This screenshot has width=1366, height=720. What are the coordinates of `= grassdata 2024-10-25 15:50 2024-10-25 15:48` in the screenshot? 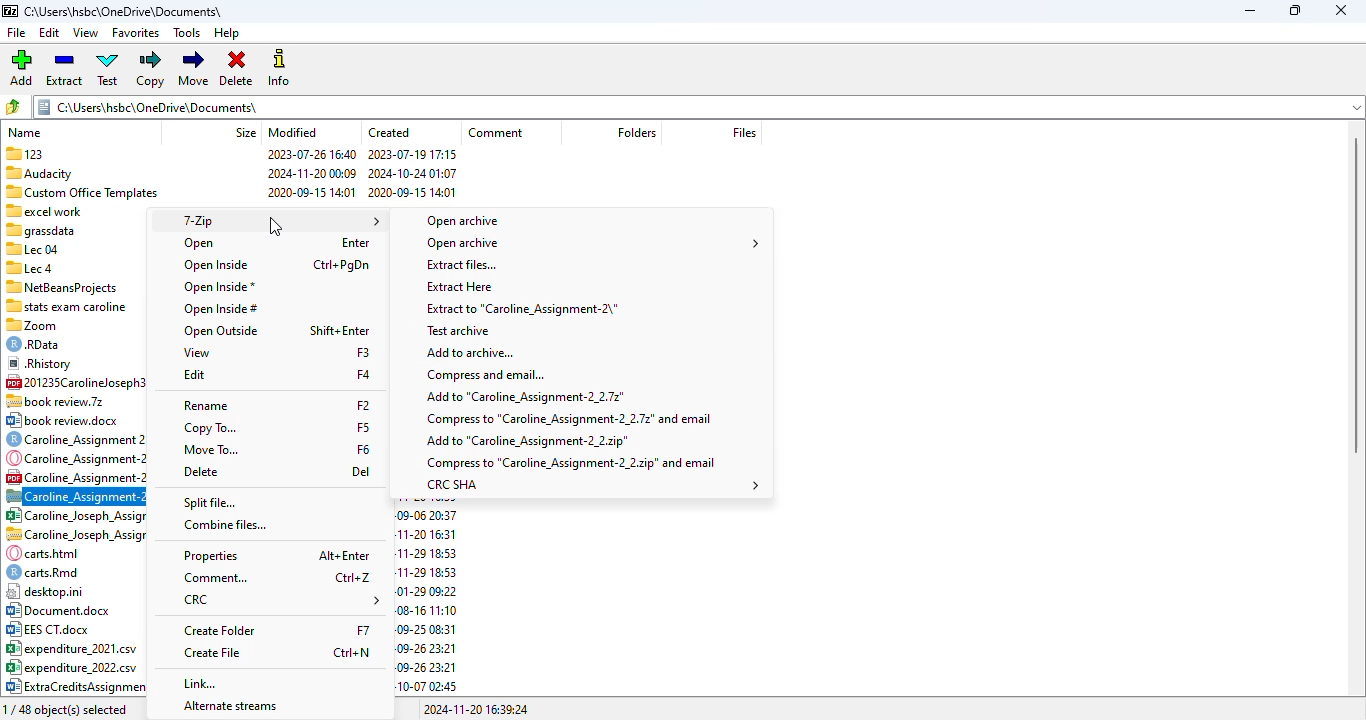 It's located at (69, 230).